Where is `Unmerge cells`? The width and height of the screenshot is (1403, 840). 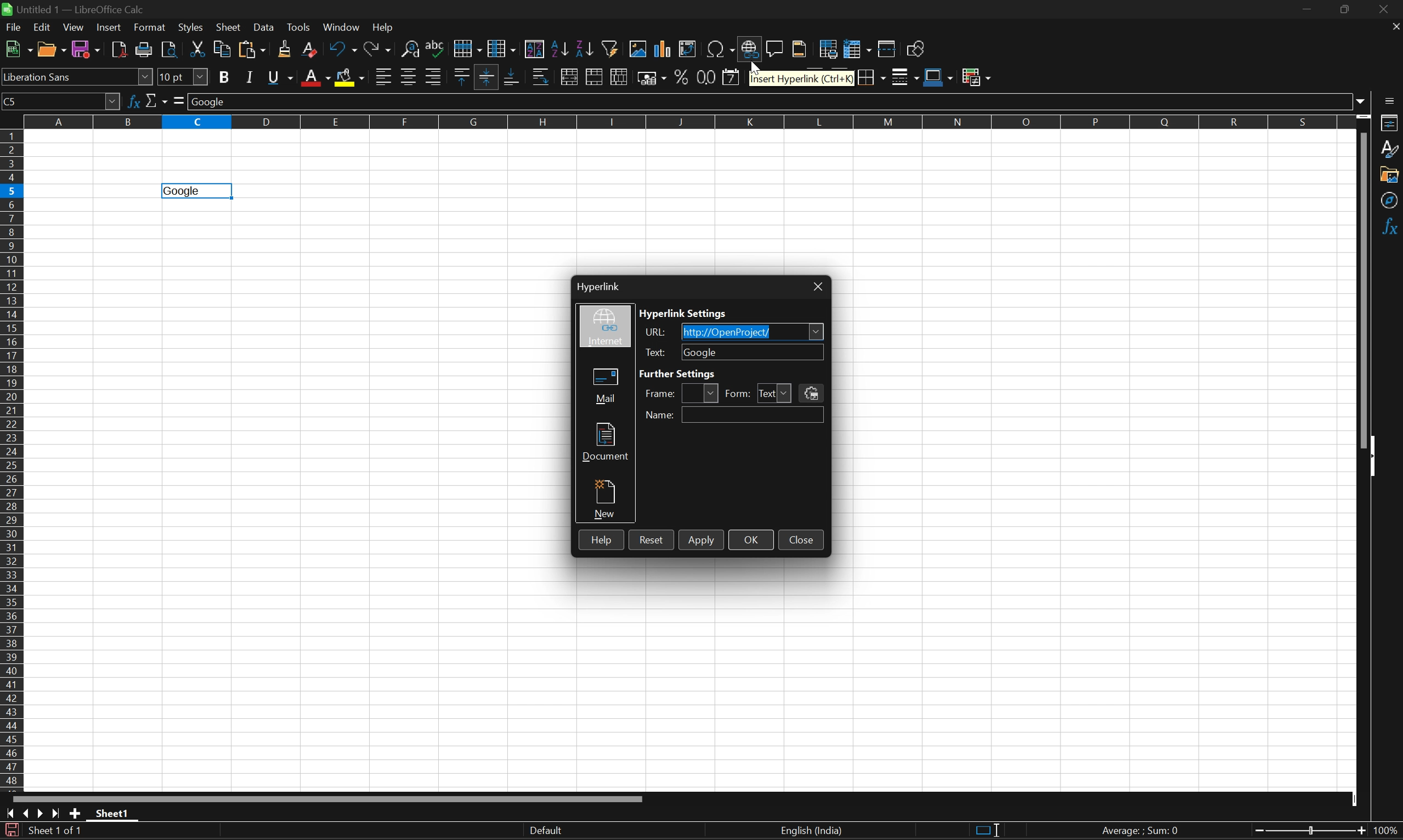
Unmerge cells is located at coordinates (619, 78).